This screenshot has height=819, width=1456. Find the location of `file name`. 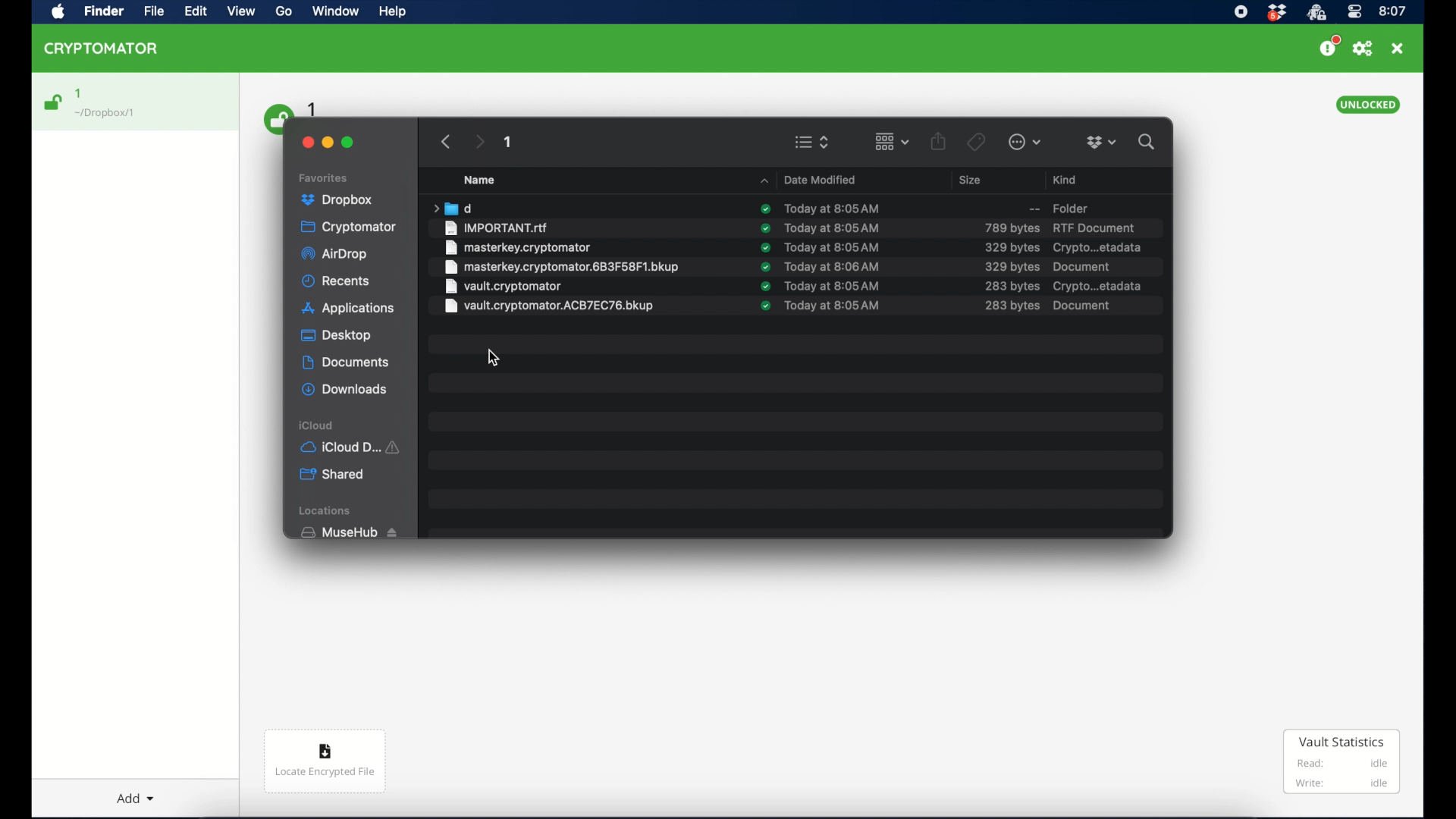

file name is located at coordinates (497, 227).